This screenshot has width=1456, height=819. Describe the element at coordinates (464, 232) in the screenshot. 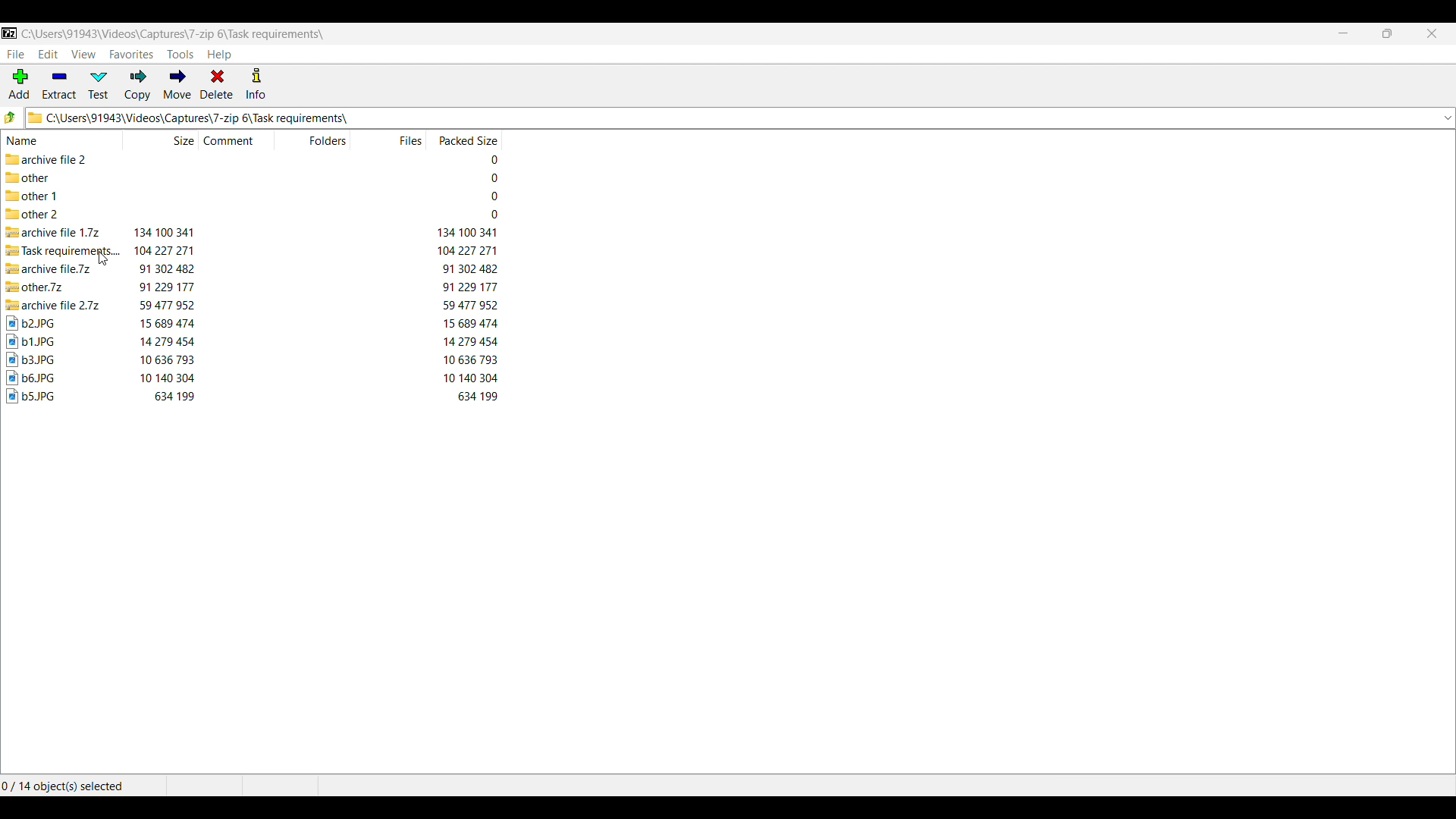

I see `packed size` at that location.